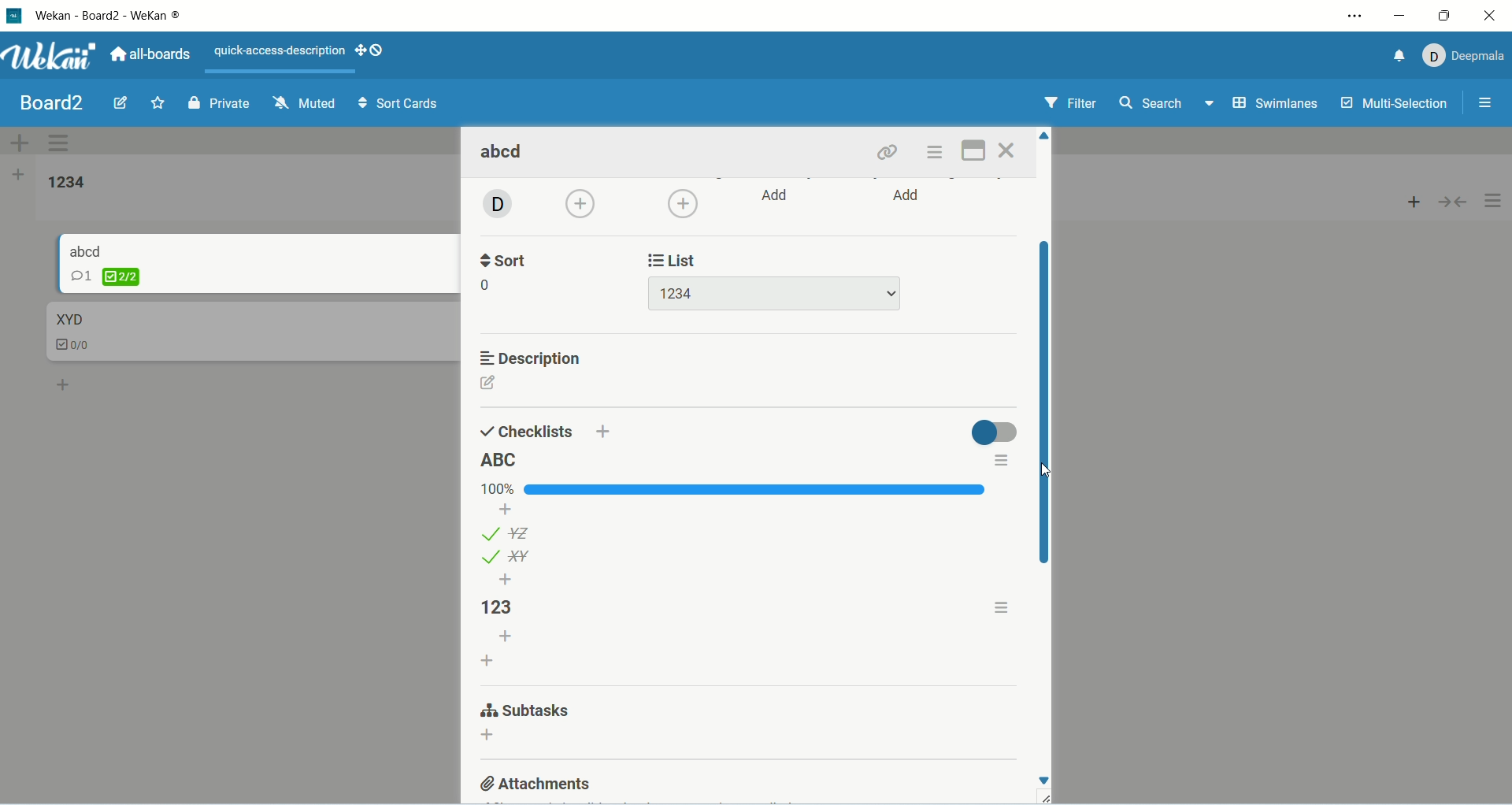 This screenshot has height=805, width=1512. Describe the element at coordinates (1045, 135) in the screenshot. I see `Up` at that location.